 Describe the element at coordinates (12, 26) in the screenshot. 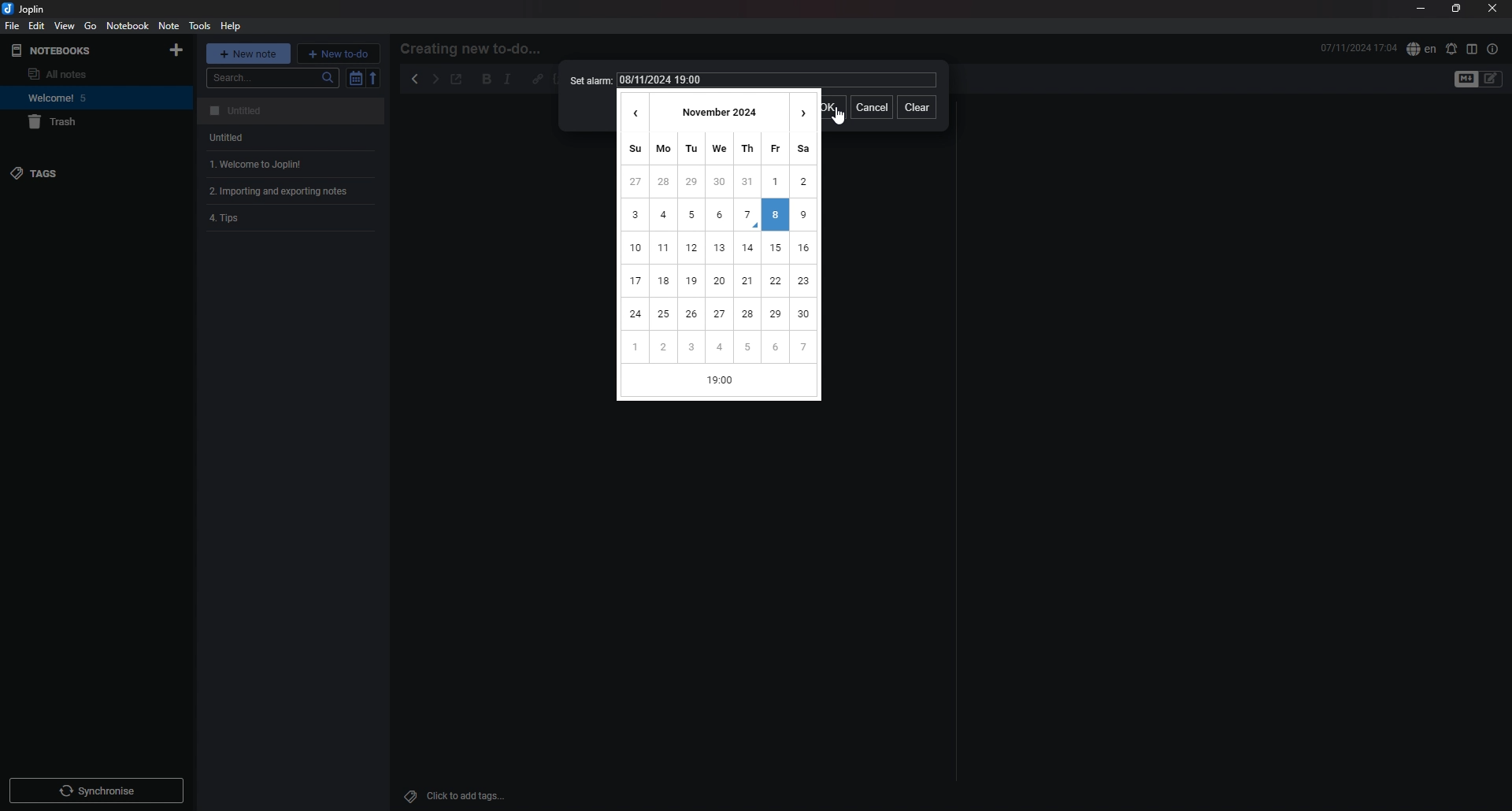

I see `file` at that location.